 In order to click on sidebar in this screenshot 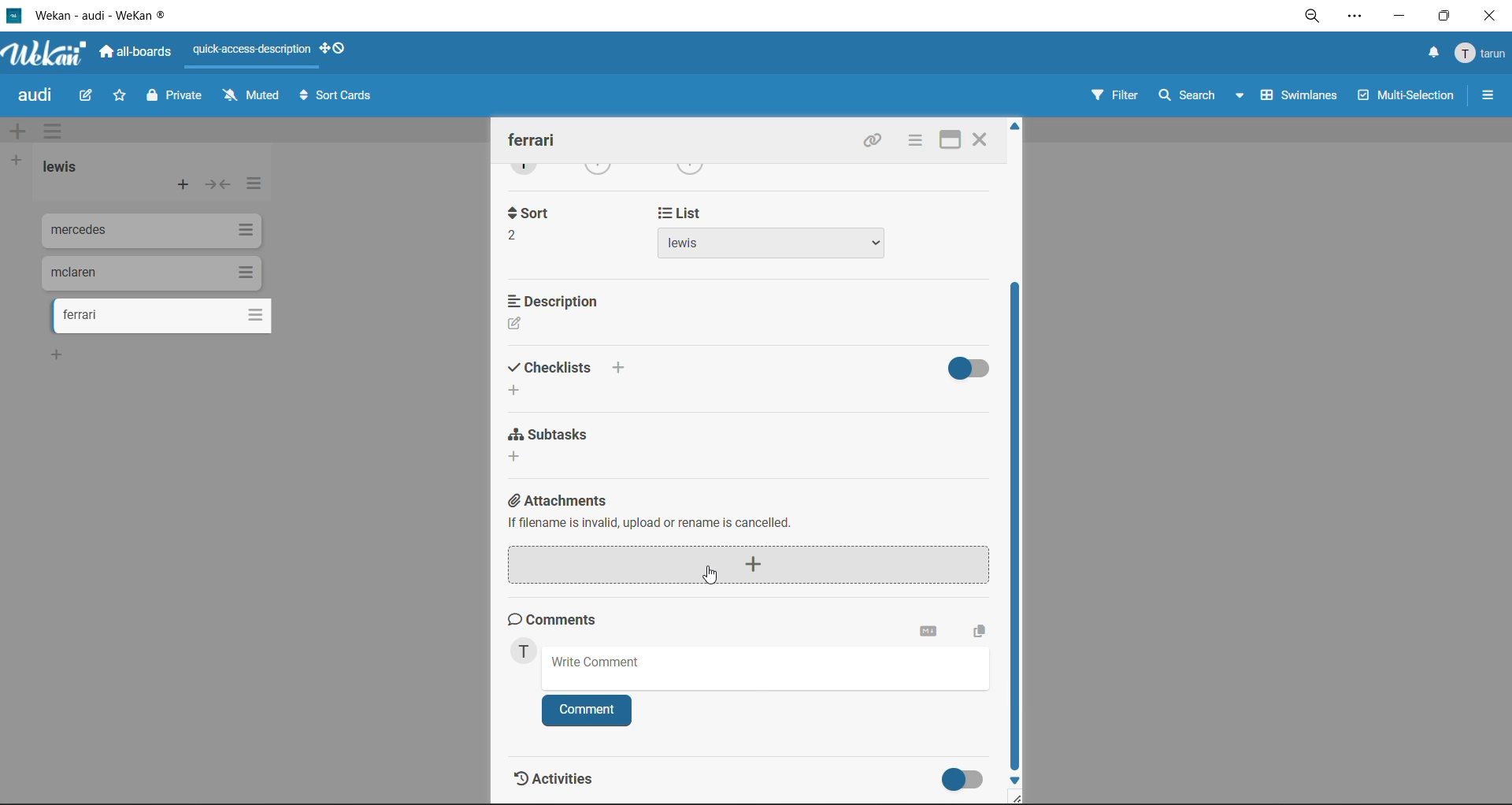, I will do `click(1486, 95)`.